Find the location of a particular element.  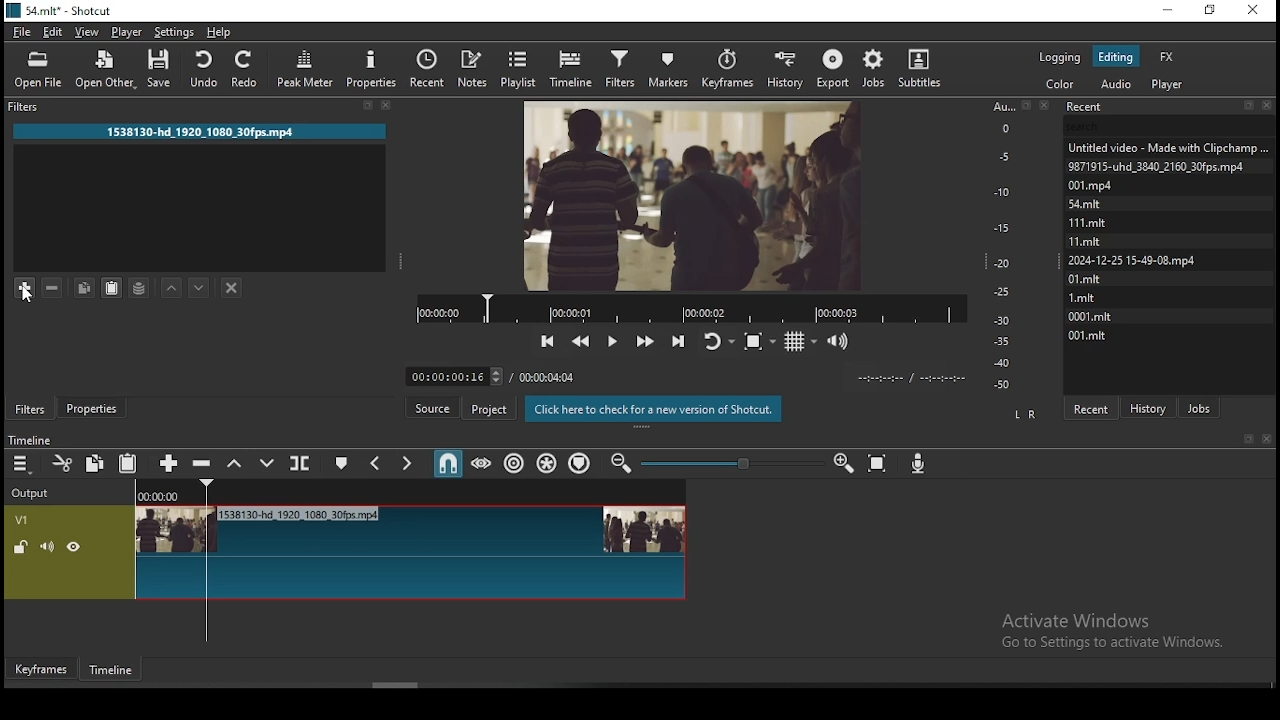

history is located at coordinates (1150, 402).